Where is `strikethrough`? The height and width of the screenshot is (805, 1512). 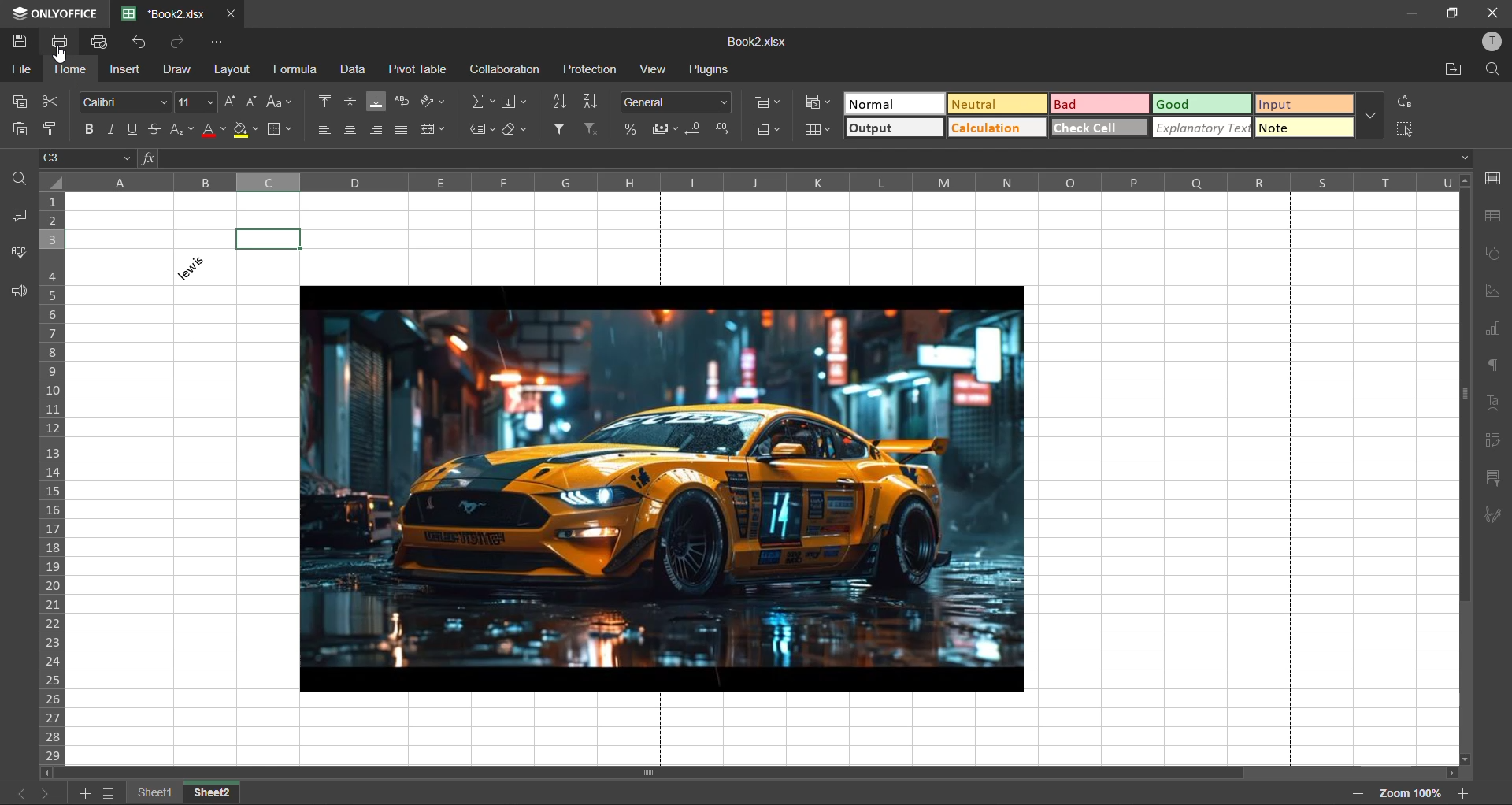
strikethrough is located at coordinates (154, 128).